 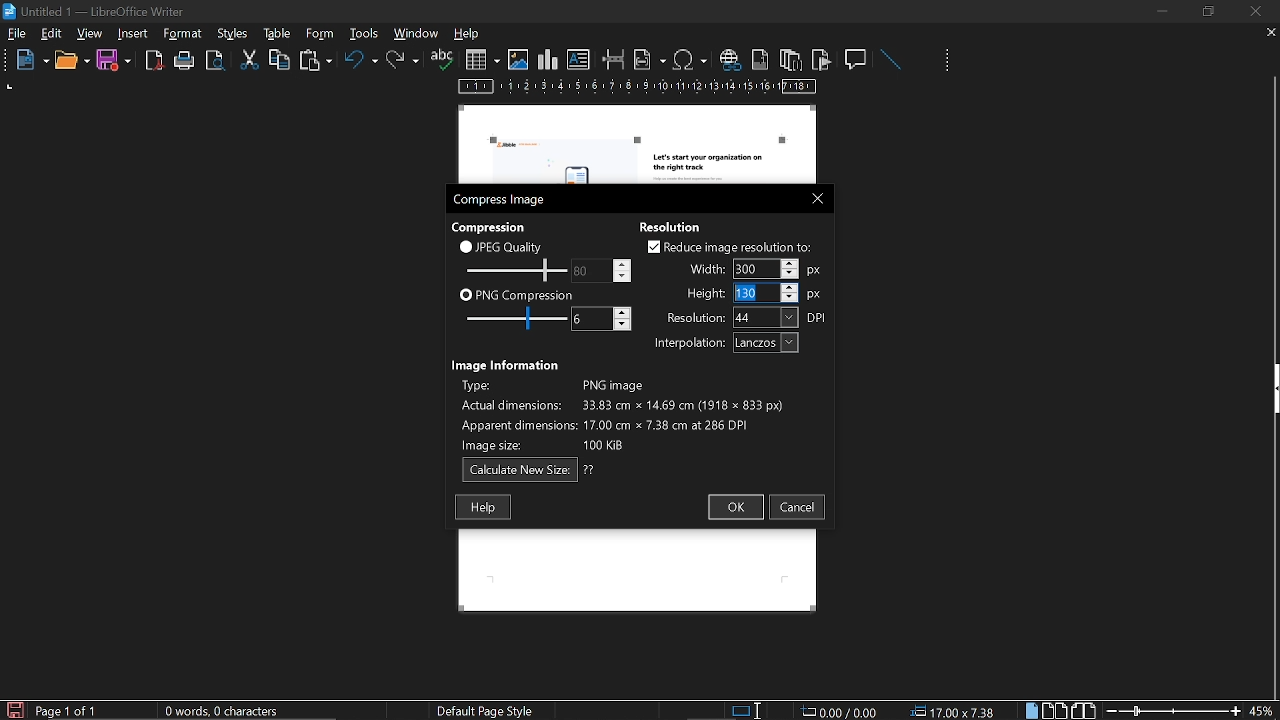 What do you see at coordinates (518, 60) in the screenshot?
I see `insert image` at bounding box center [518, 60].